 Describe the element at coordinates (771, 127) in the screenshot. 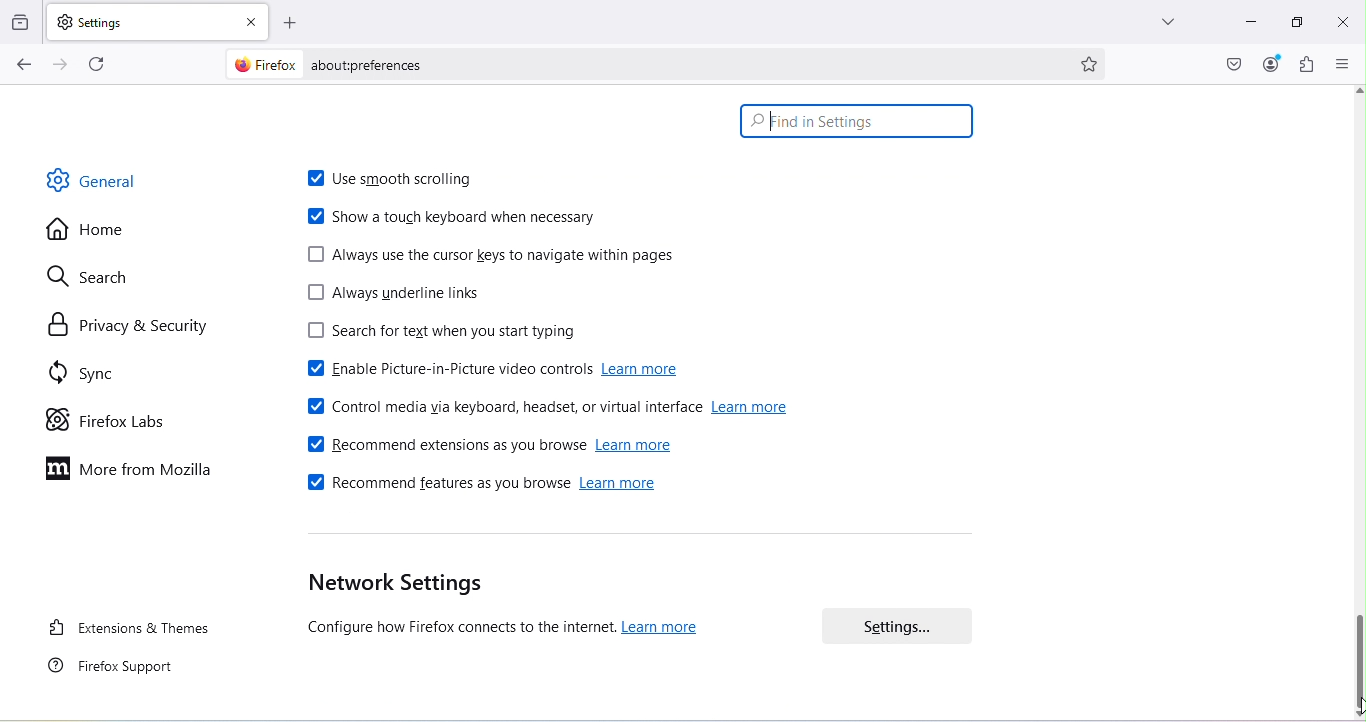

I see `cursor` at that location.